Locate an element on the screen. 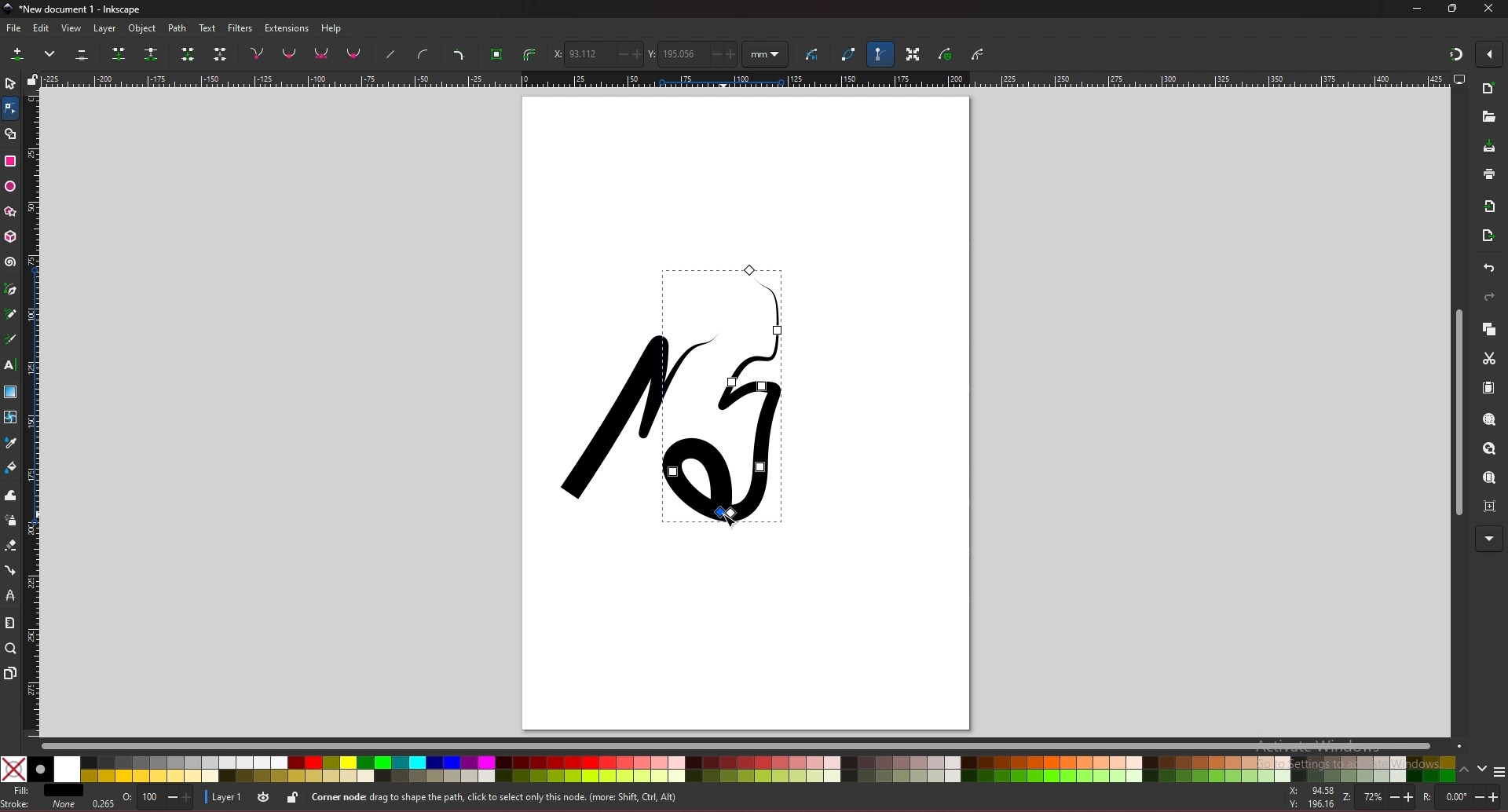 The height and width of the screenshot is (812, 1508). cut is located at coordinates (1490, 358).